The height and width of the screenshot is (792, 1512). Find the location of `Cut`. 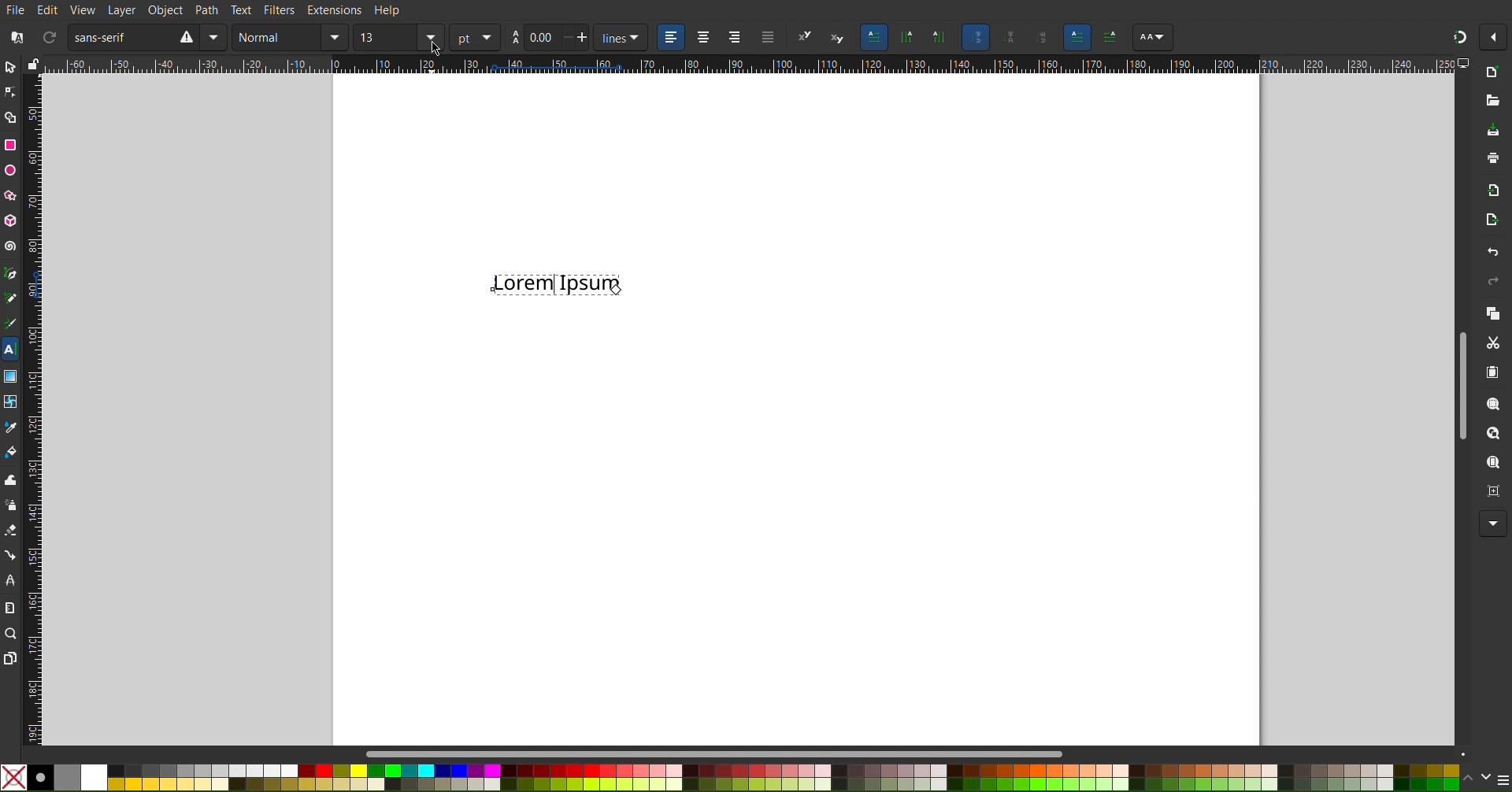

Cut is located at coordinates (1492, 342).